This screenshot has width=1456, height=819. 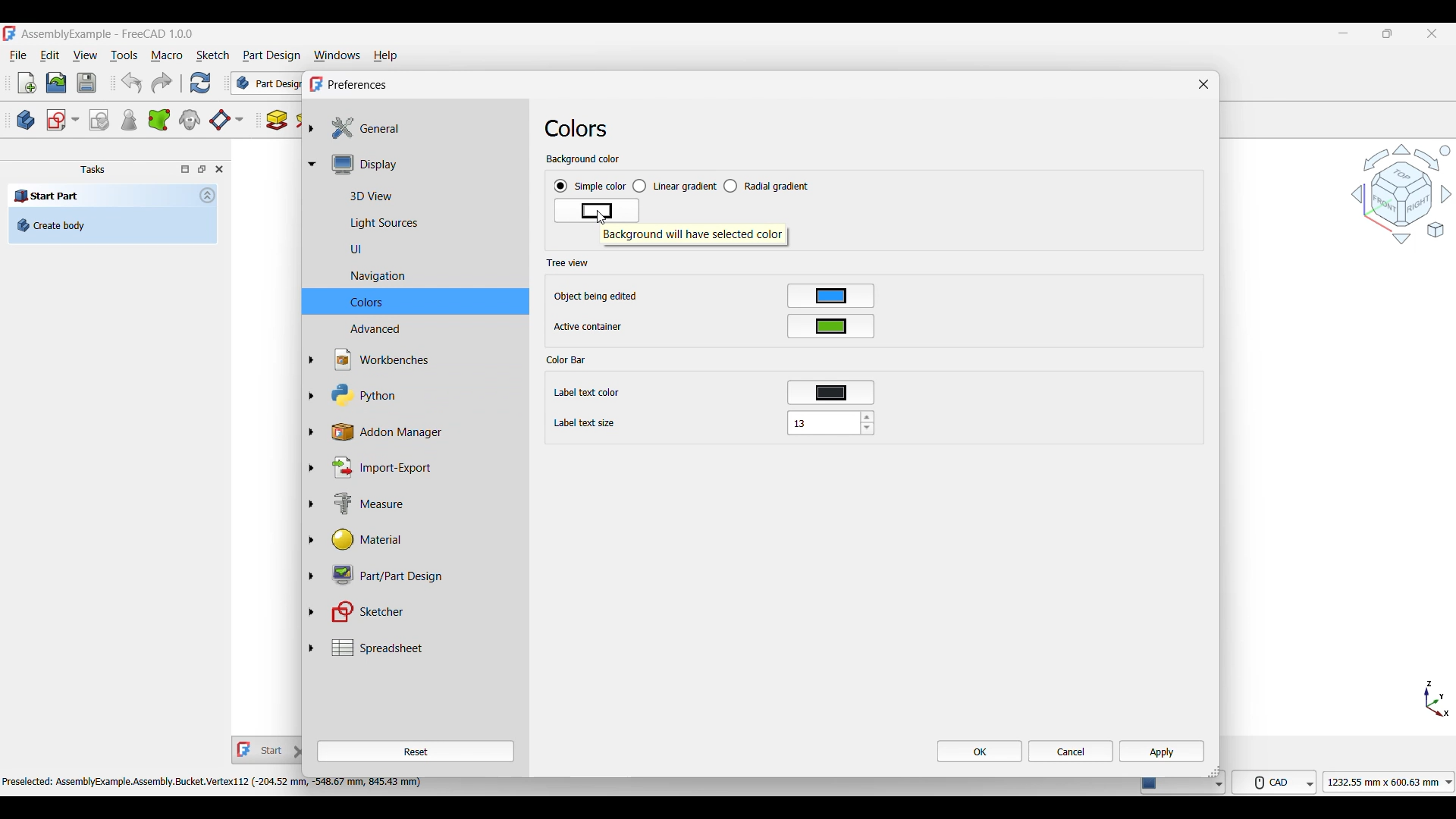 What do you see at coordinates (63, 120) in the screenshot?
I see `Create a sketch options` at bounding box center [63, 120].